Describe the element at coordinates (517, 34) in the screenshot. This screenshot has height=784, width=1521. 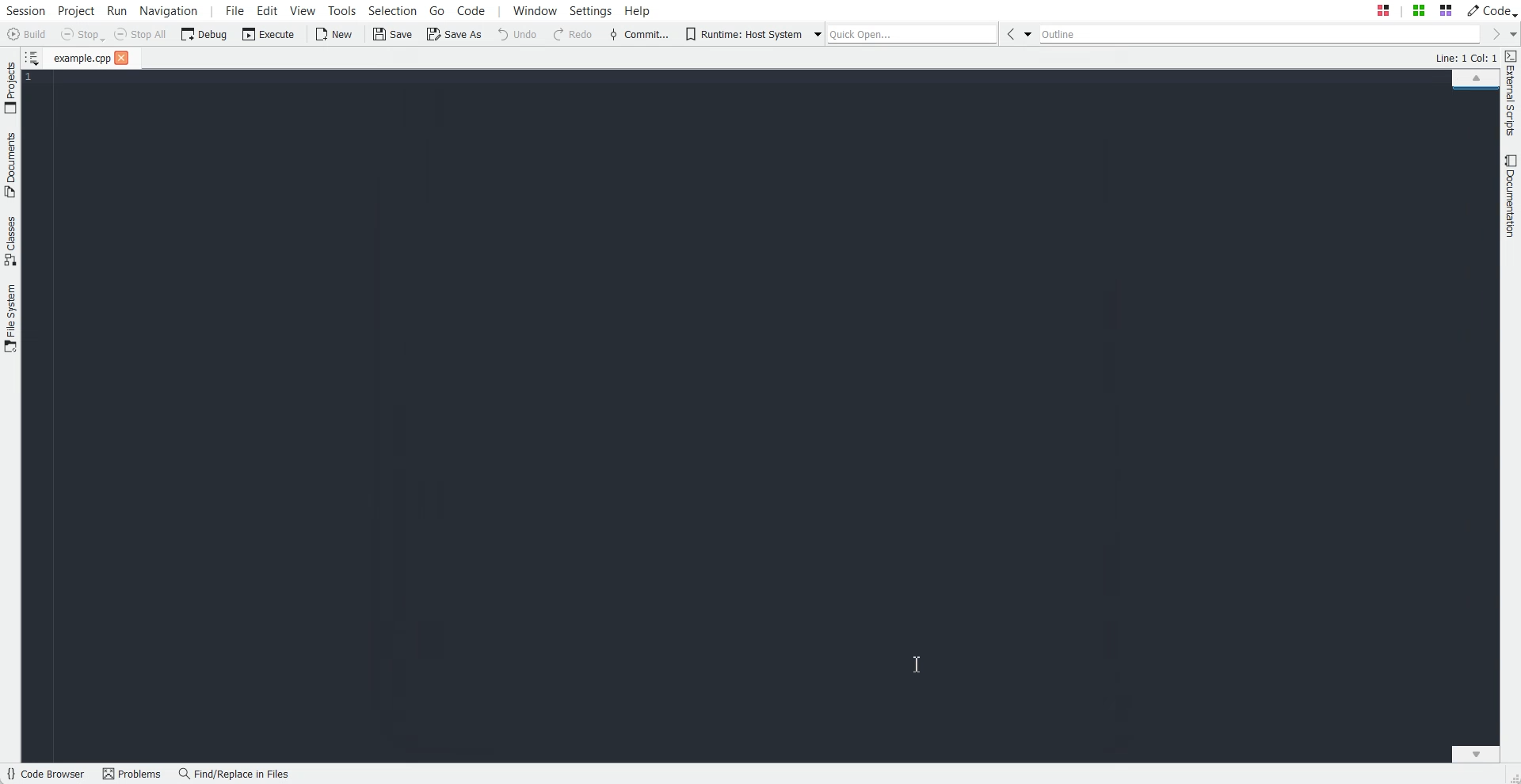
I see `Undo` at that location.